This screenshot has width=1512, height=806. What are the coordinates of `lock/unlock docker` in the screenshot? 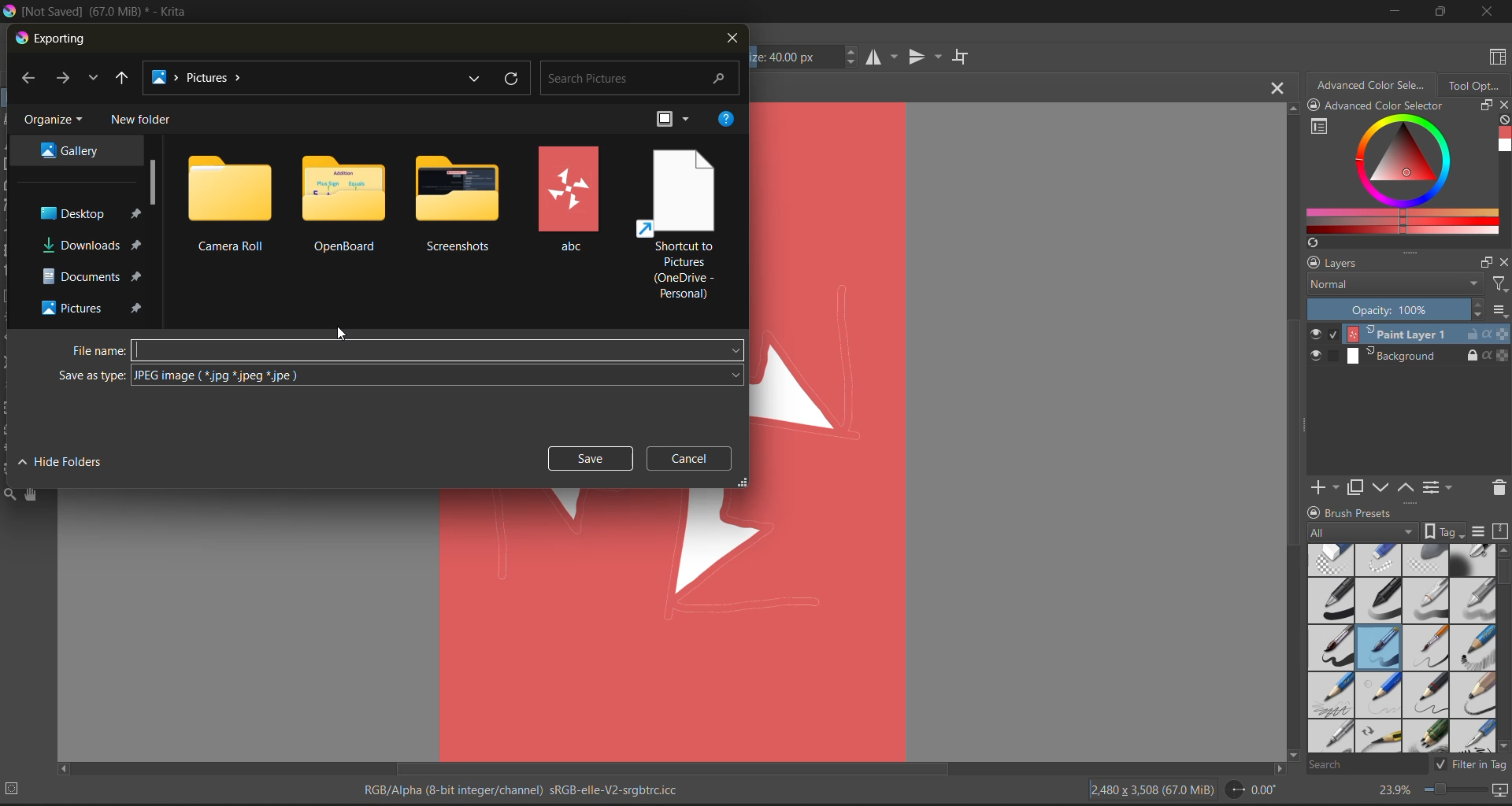 It's located at (1314, 511).